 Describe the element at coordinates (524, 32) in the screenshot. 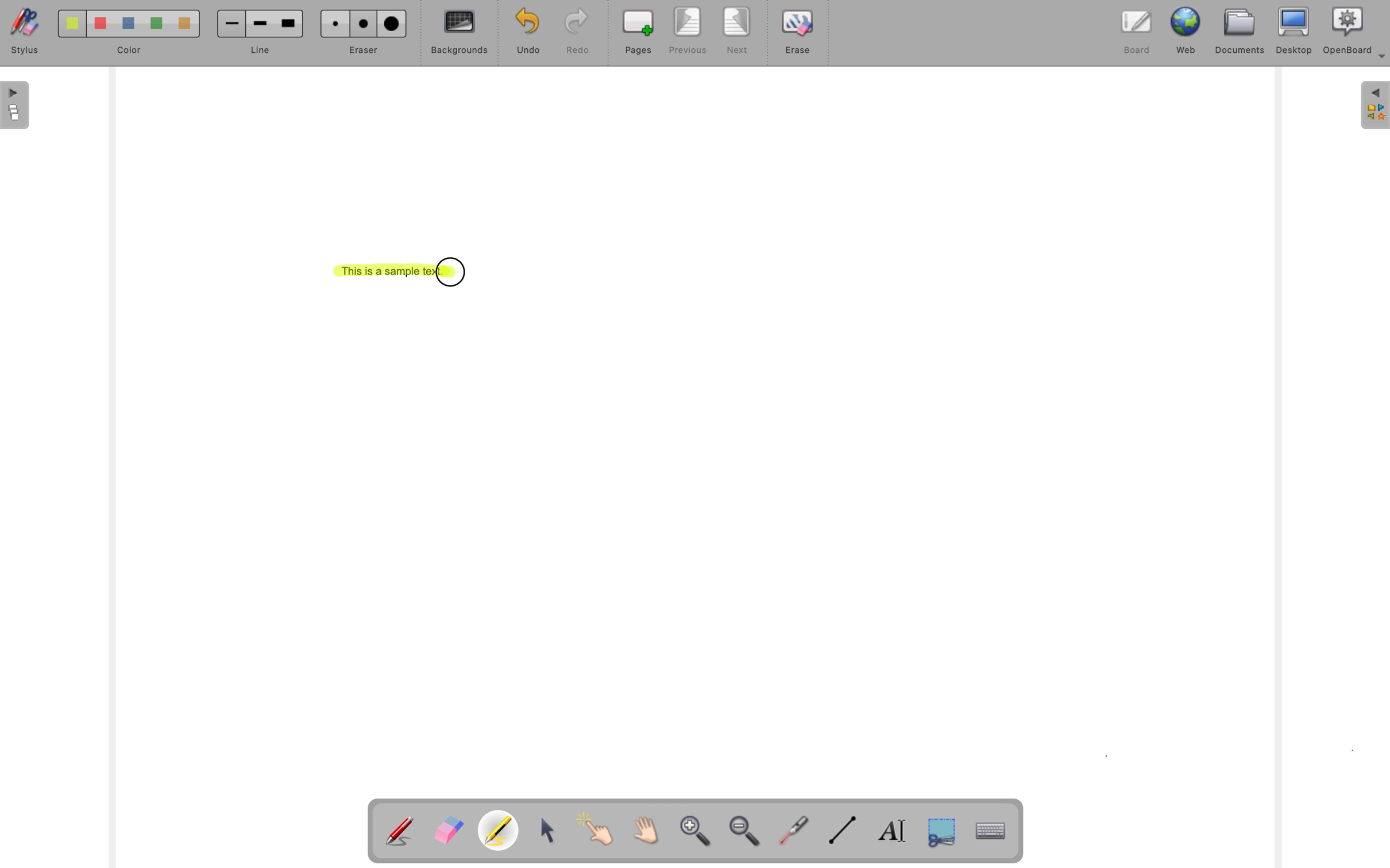

I see `undo` at that location.